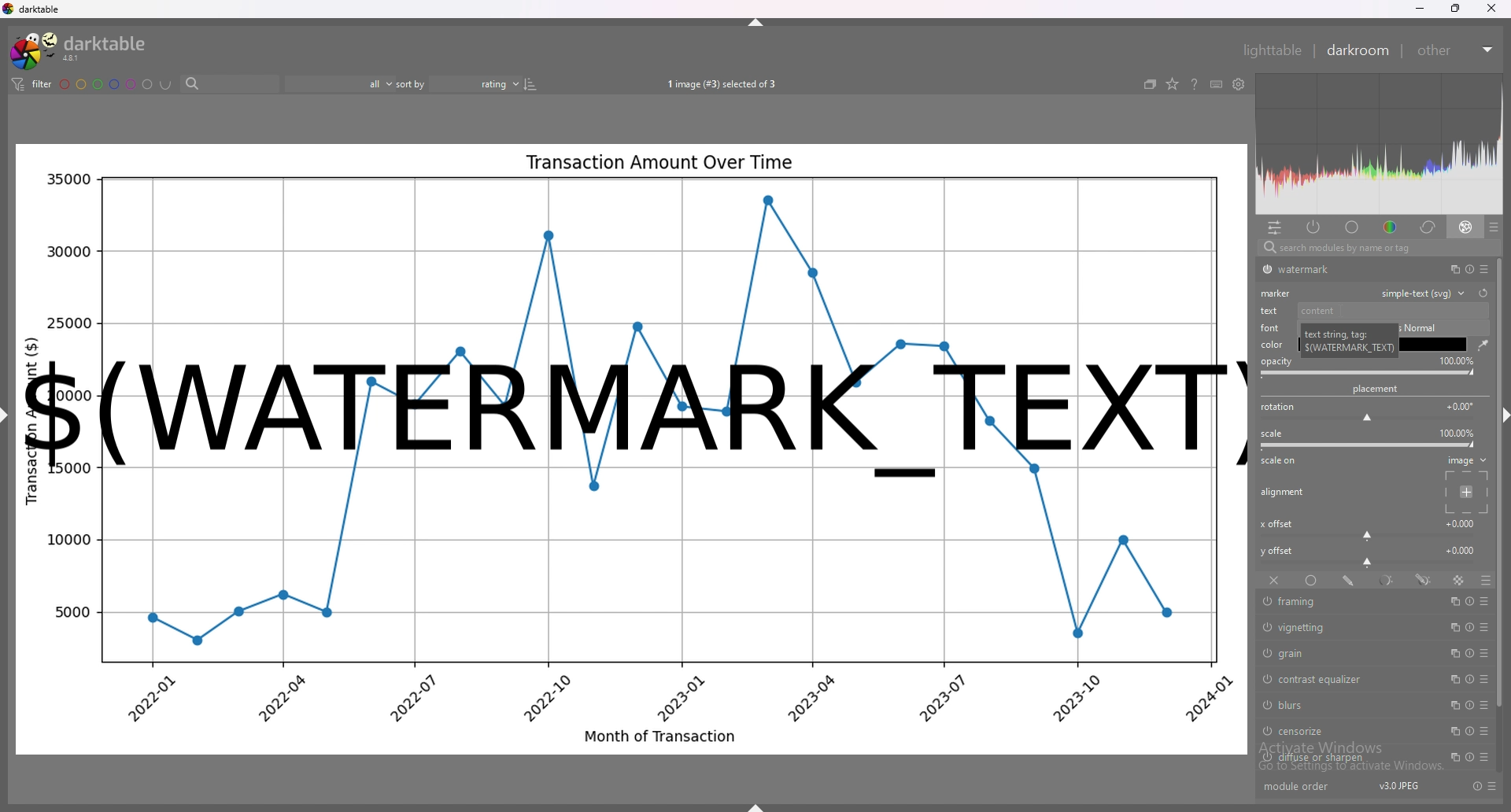 The height and width of the screenshot is (812, 1511). What do you see at coordinates (1272, 328) in the screenshot?
I see `font` at bounding box center [1272, 328].